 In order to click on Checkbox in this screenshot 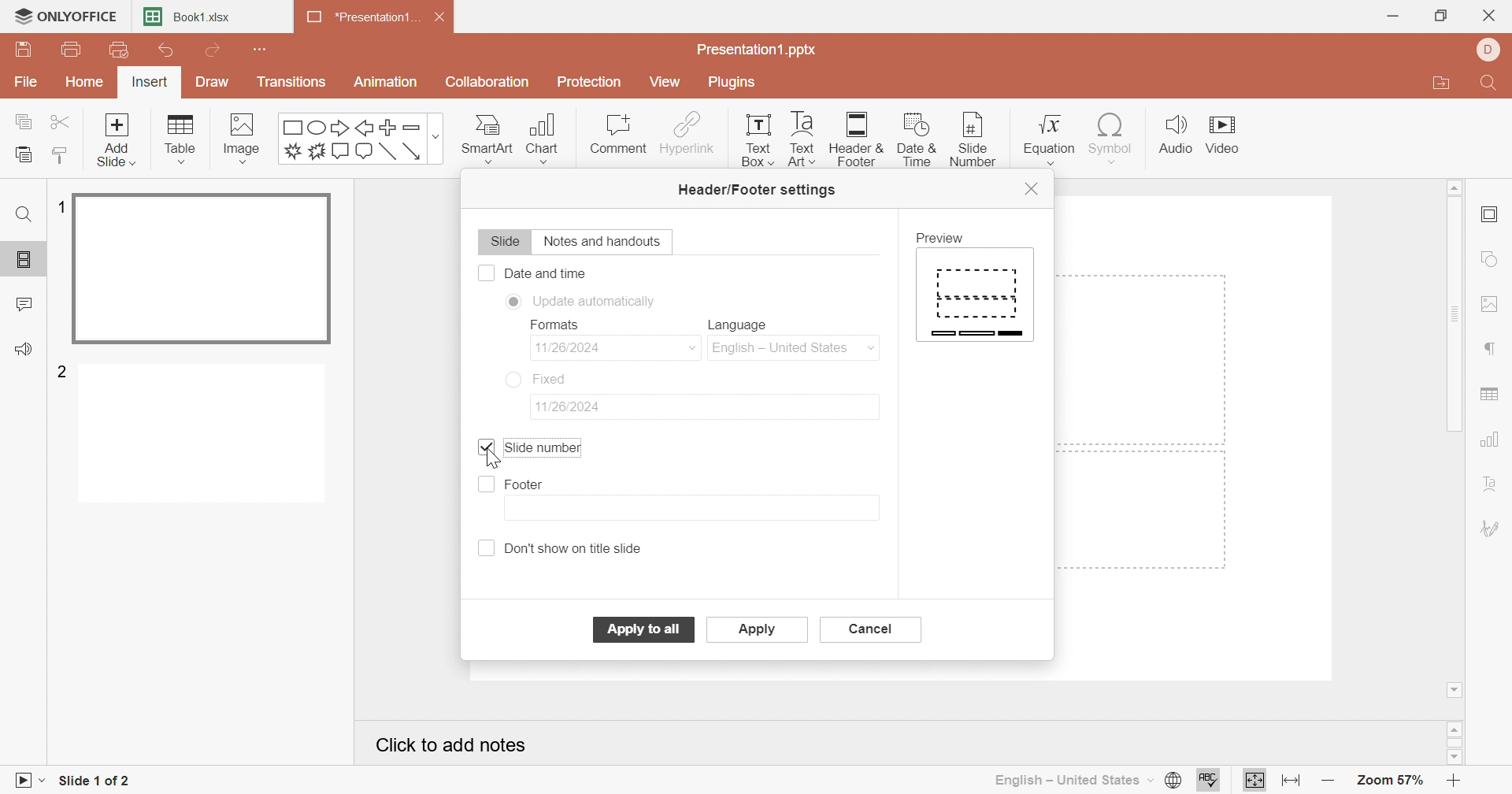, I will do `click(487, 548)`.